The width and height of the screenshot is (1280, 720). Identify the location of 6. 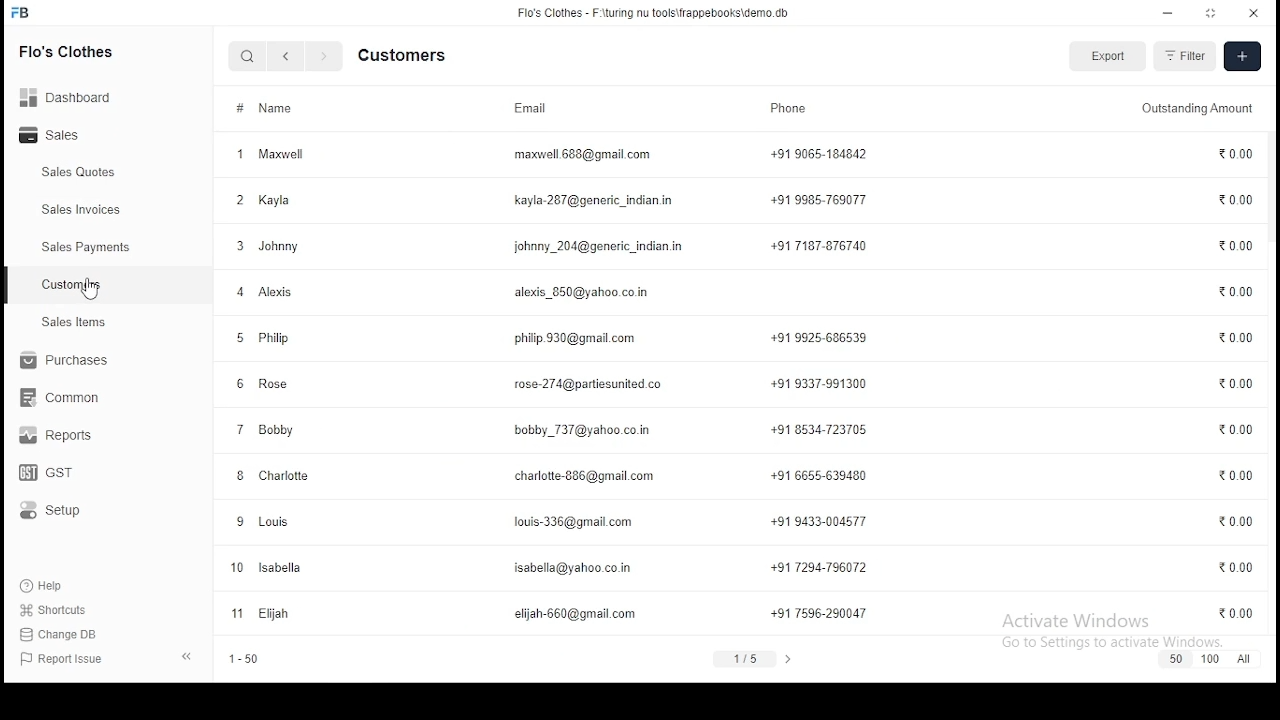
(238, 384).